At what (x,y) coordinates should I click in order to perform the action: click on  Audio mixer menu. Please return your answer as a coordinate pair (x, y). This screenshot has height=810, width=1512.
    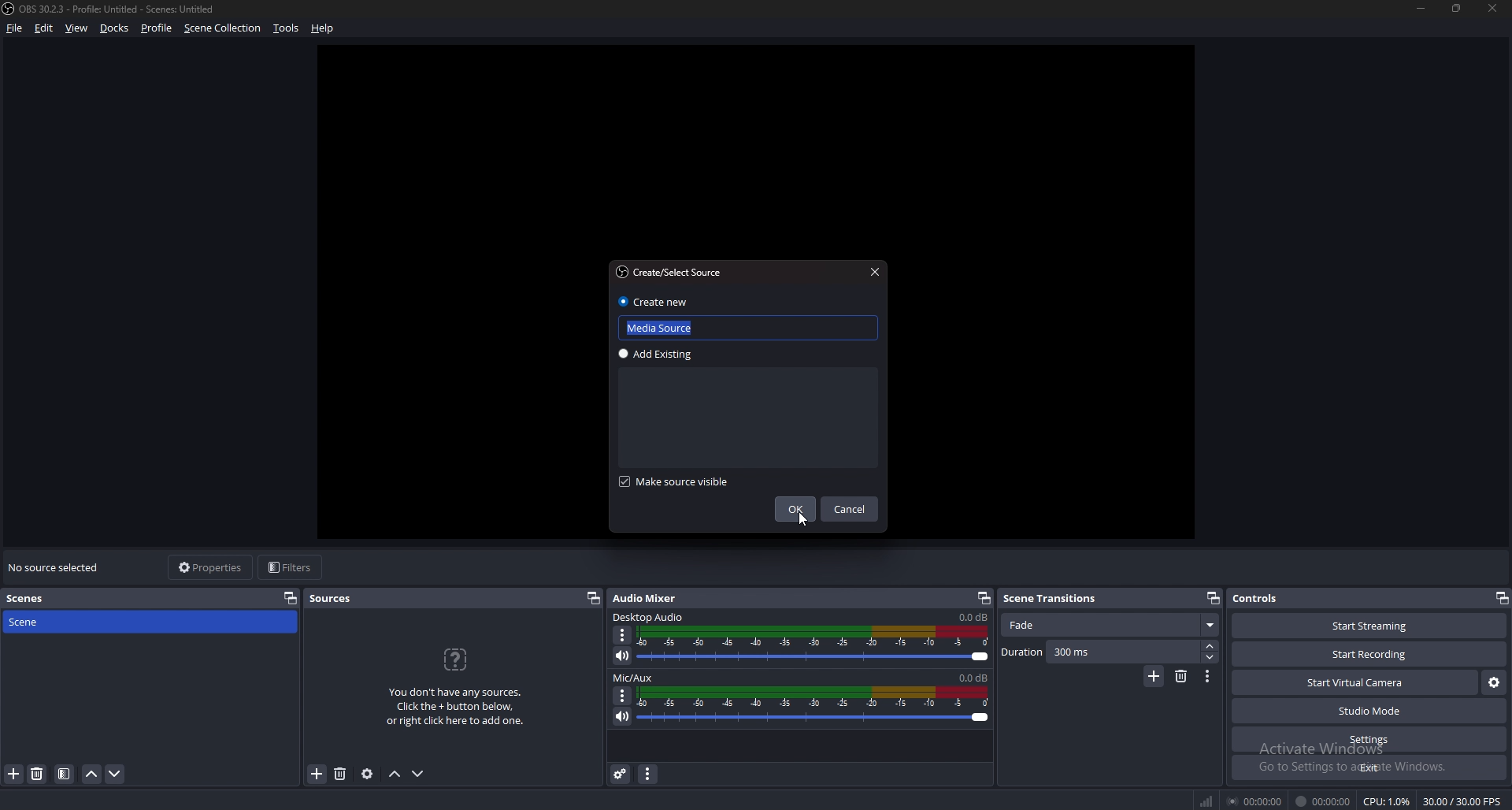
    Looking at the image, I should click on (647, 775).